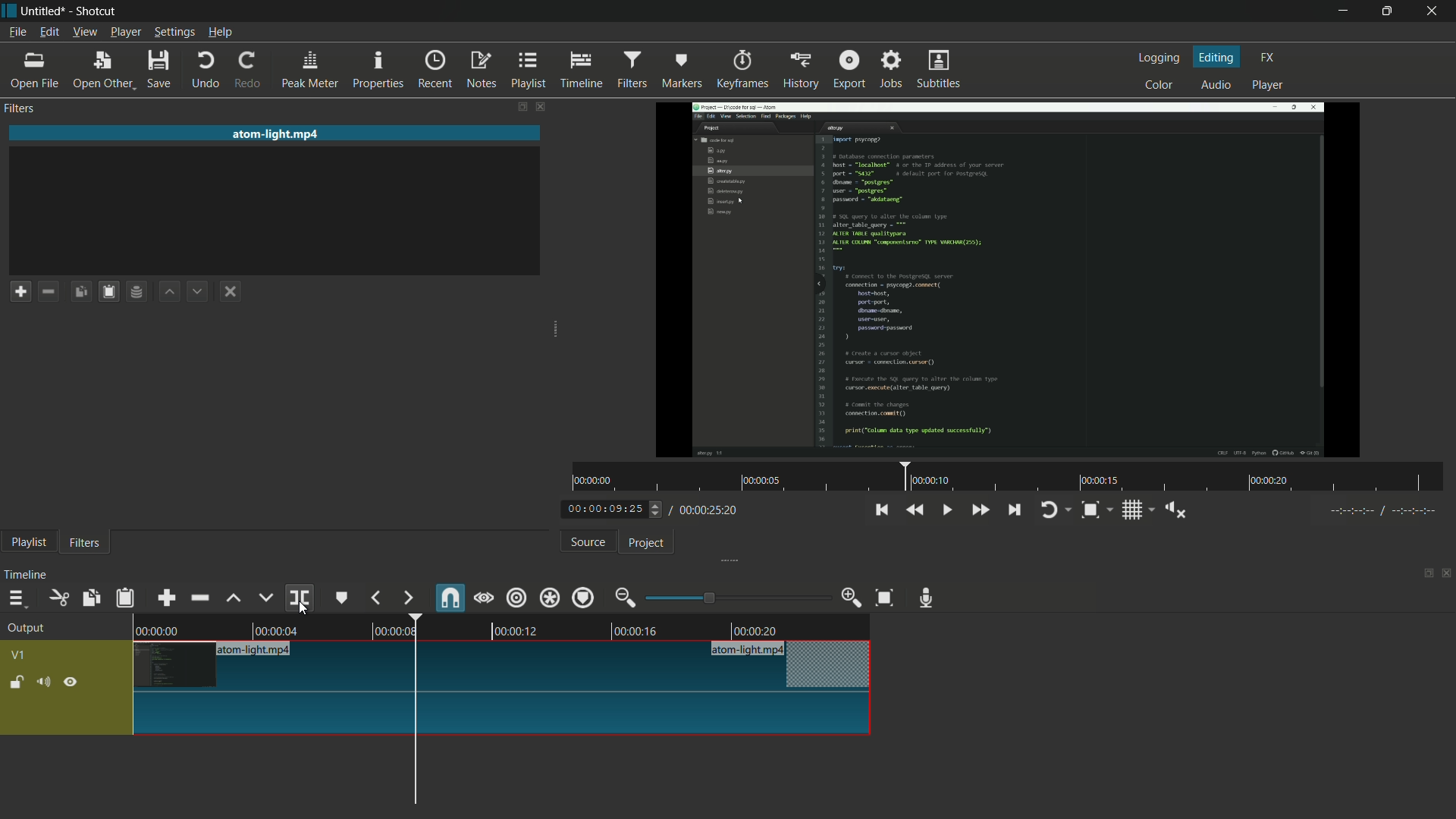 This screenshot has width=1456, height=819. I want to click on time, so click(1009, 477).